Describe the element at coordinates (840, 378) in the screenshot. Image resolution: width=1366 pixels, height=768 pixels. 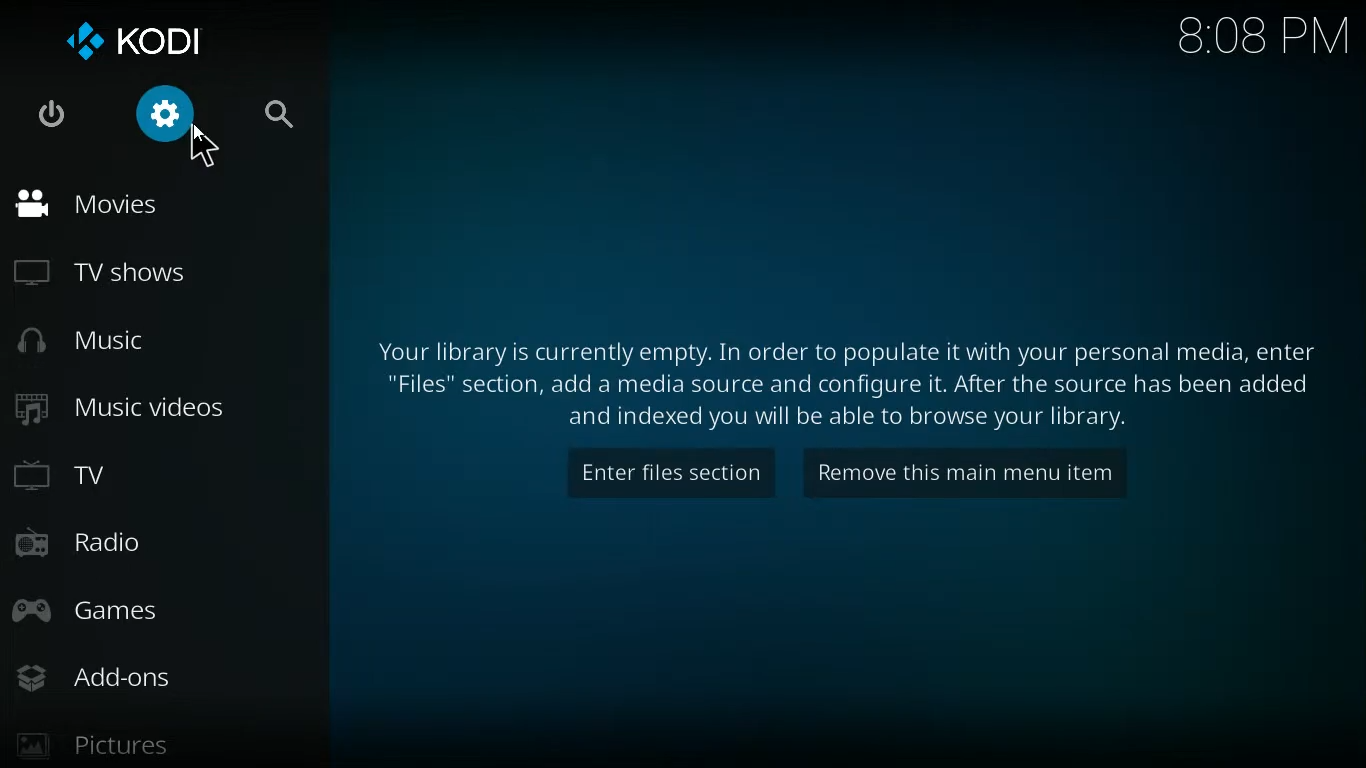
I see `message` at that location.